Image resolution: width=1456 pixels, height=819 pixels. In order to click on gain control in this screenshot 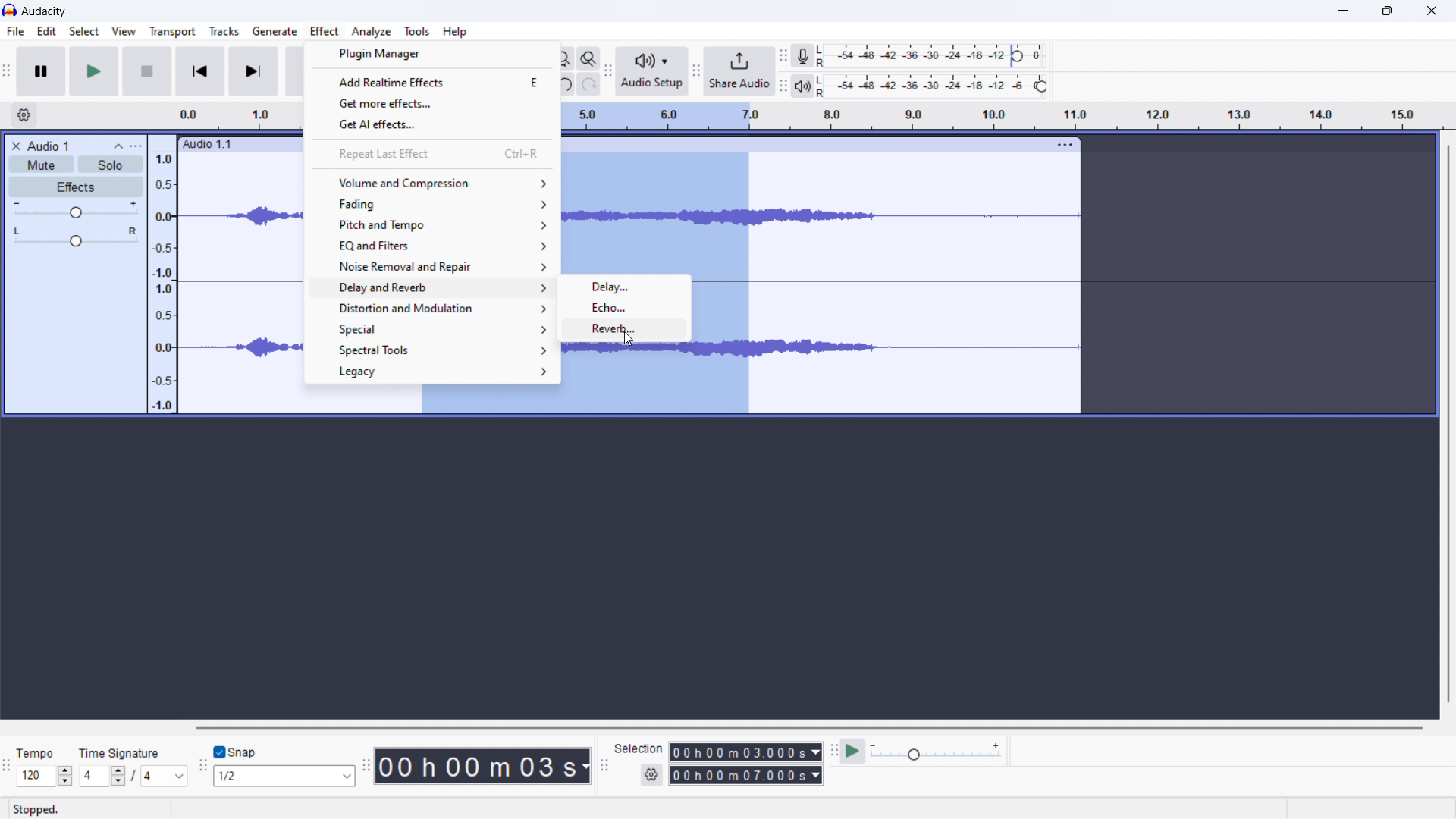, I will do `click(75, 211)`.